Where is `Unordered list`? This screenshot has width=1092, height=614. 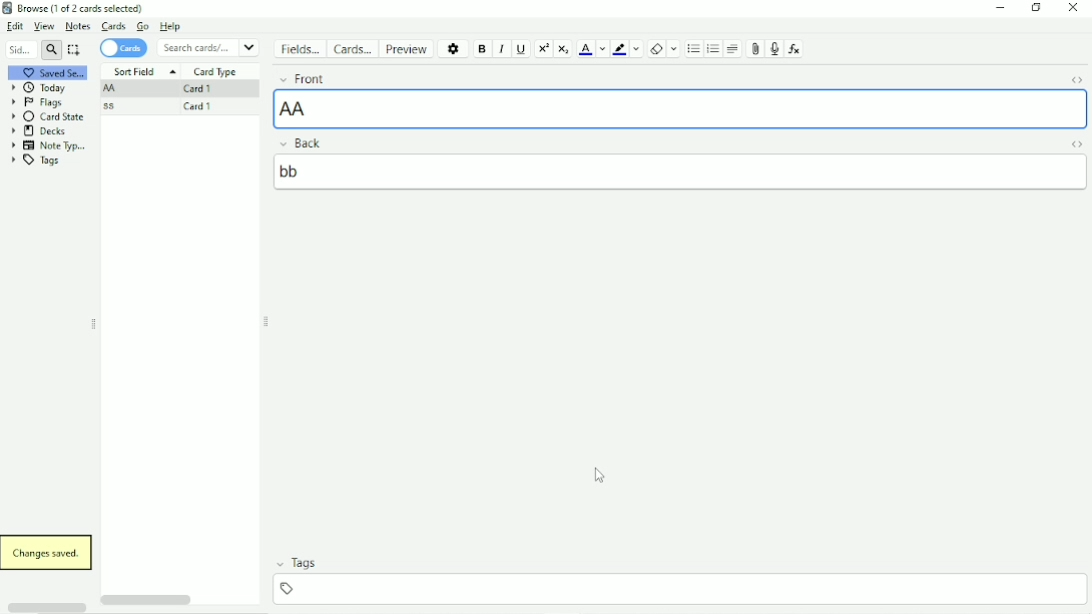 Unordered list is located at coordinates (693, 49).